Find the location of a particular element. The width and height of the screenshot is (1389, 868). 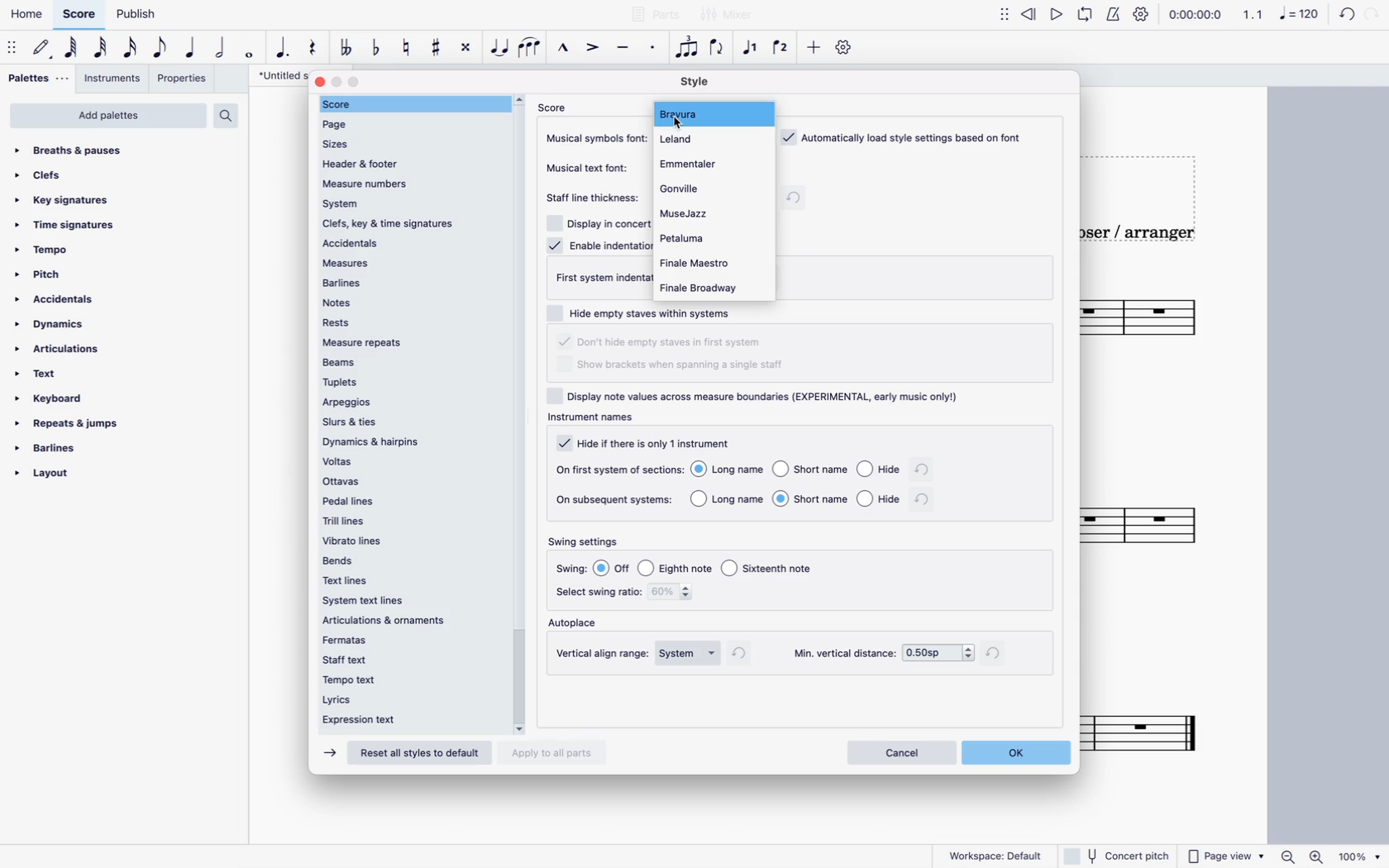

Home is located at coordinates (29, 10).